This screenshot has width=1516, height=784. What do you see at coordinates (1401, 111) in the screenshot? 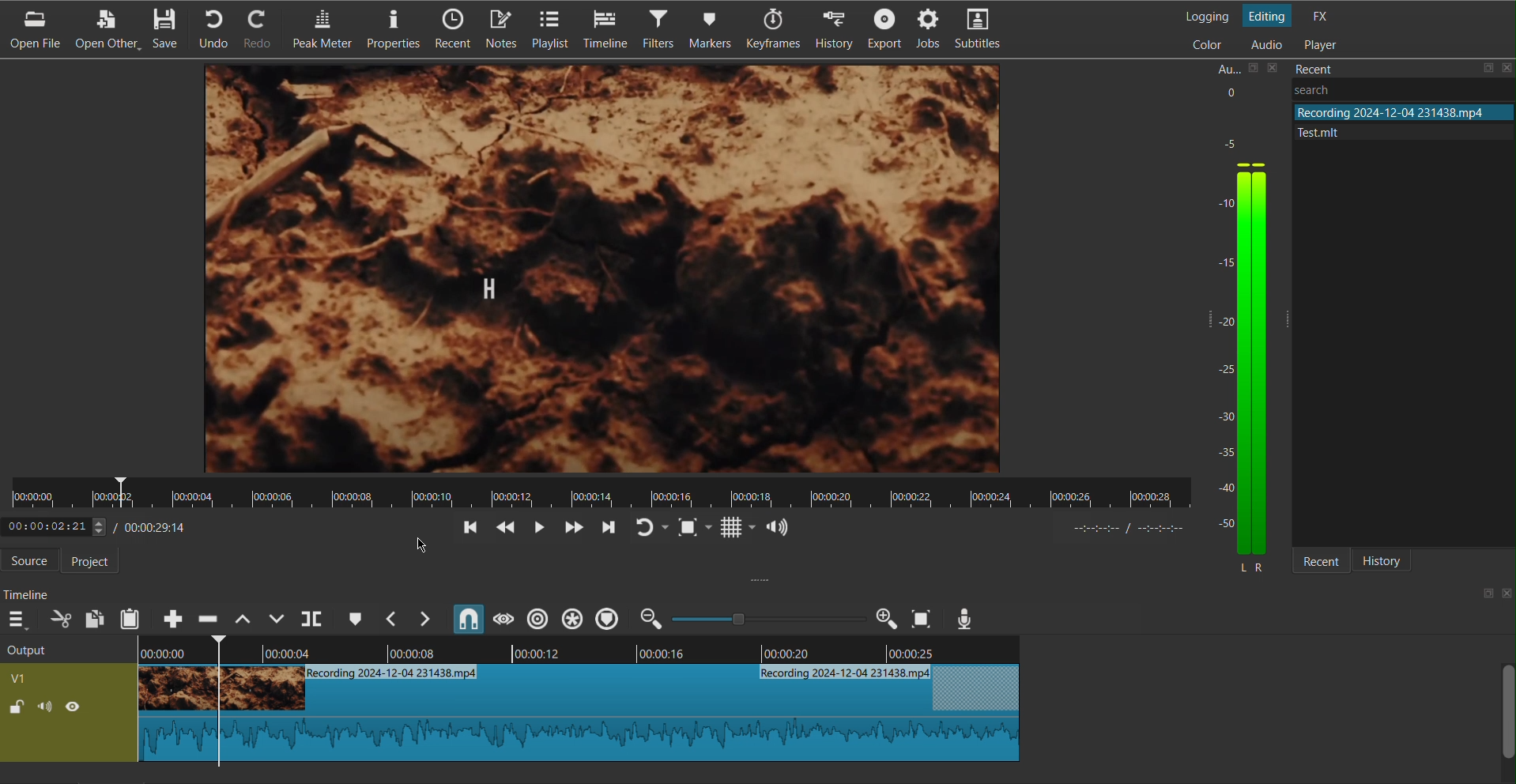
I see `file` at bounding box center [1401, 111].